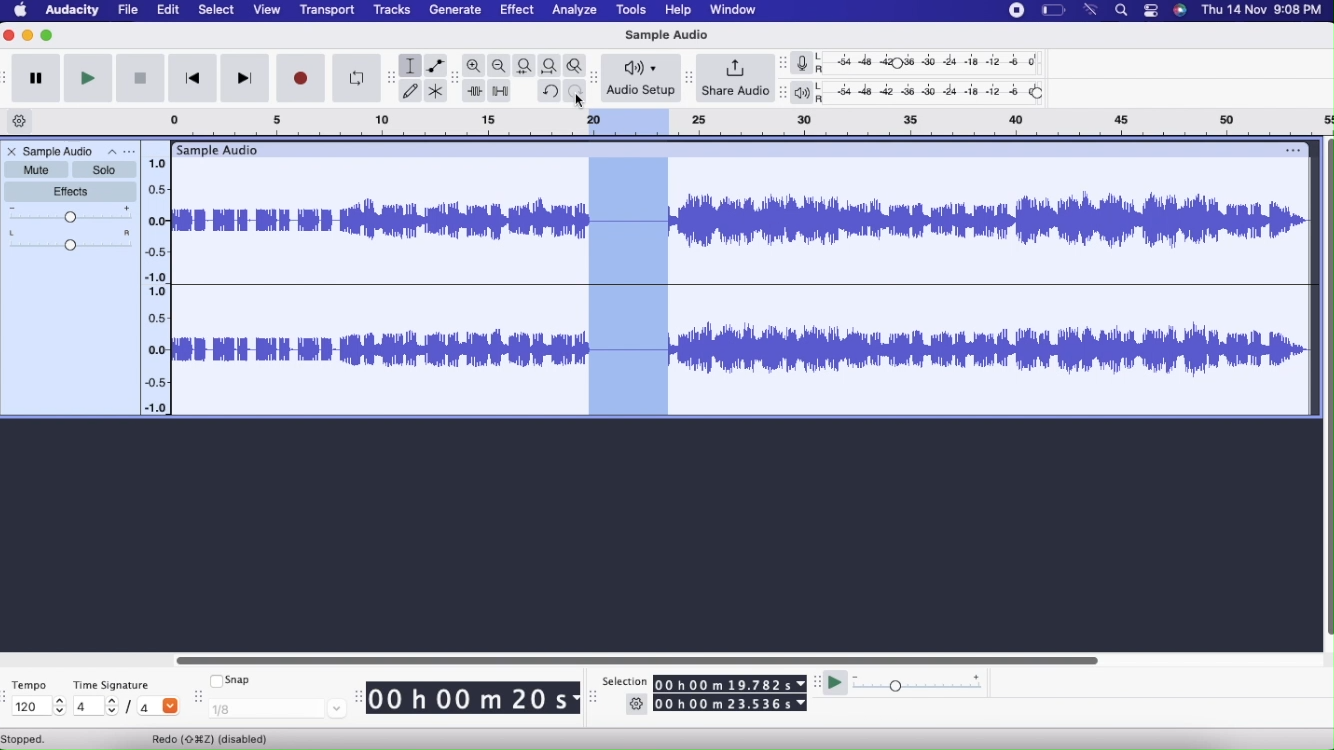 The width and height of the screenshot is (1334, 750). I want to click on option, so click(1289, 149).